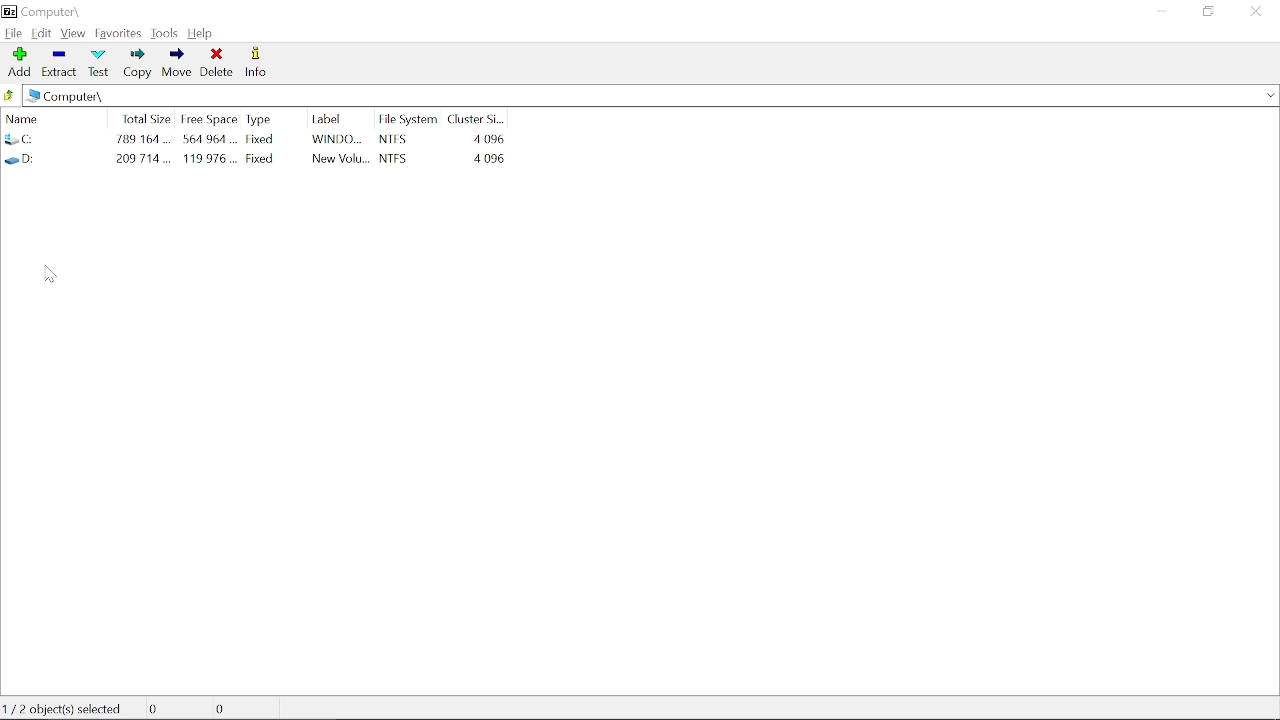 The image size is (1280, 720). I want to click on help, so click(203, 33).